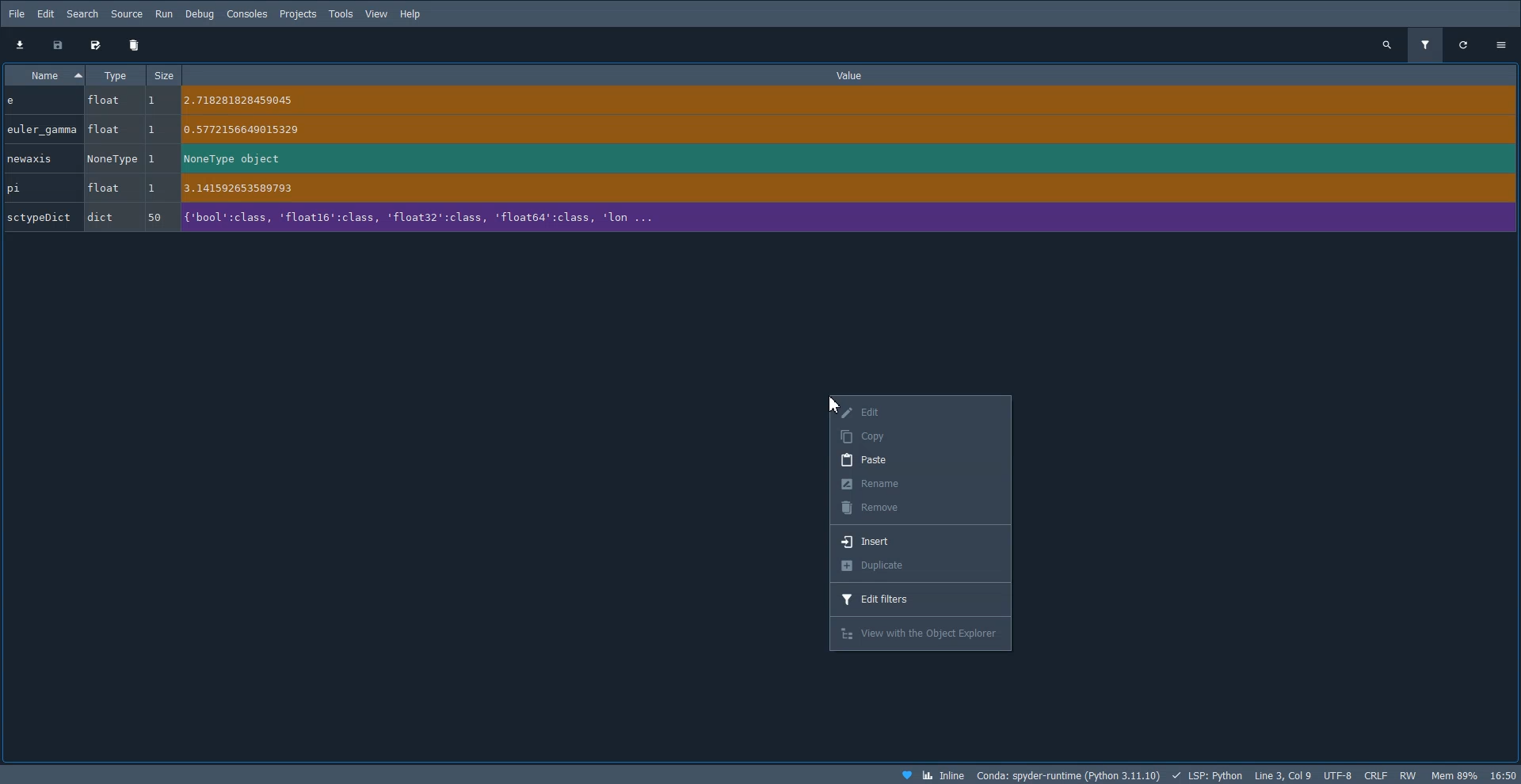 The width and height of the screenshot is (1521, 784). Describe the element at coordinates (830, 405) in the screenshot. I see `Cursor ` at that location.